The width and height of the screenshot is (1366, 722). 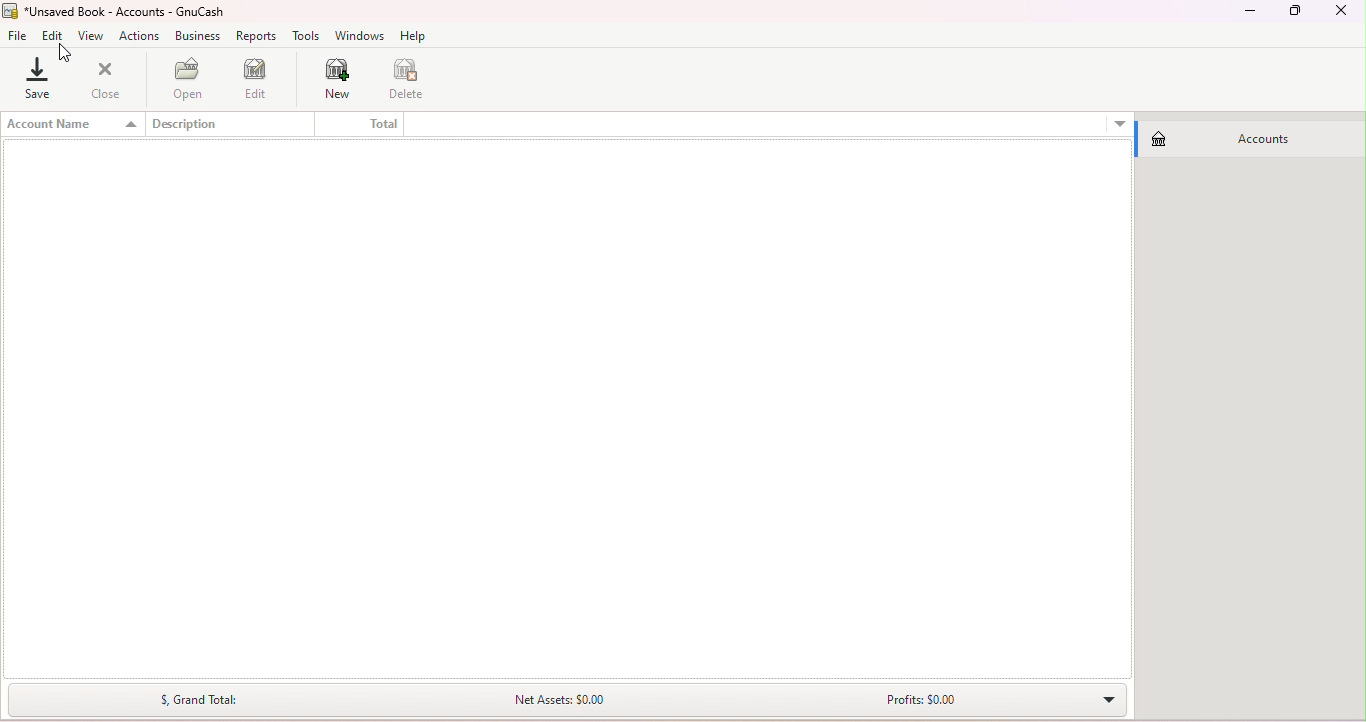 I want to click on Minimize, so click(x=1247, y=14).